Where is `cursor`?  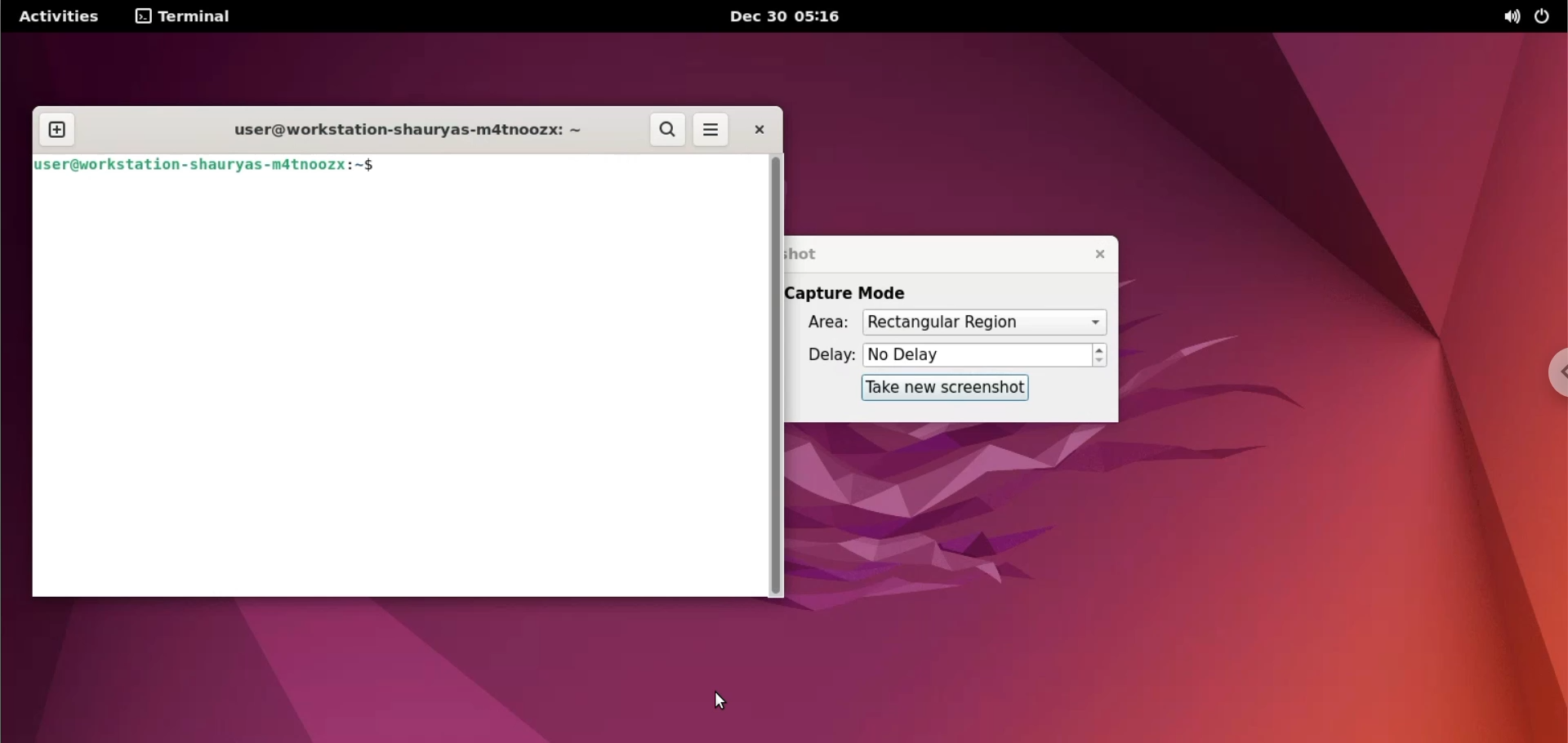
cursor is located at coordinates (722, 703).